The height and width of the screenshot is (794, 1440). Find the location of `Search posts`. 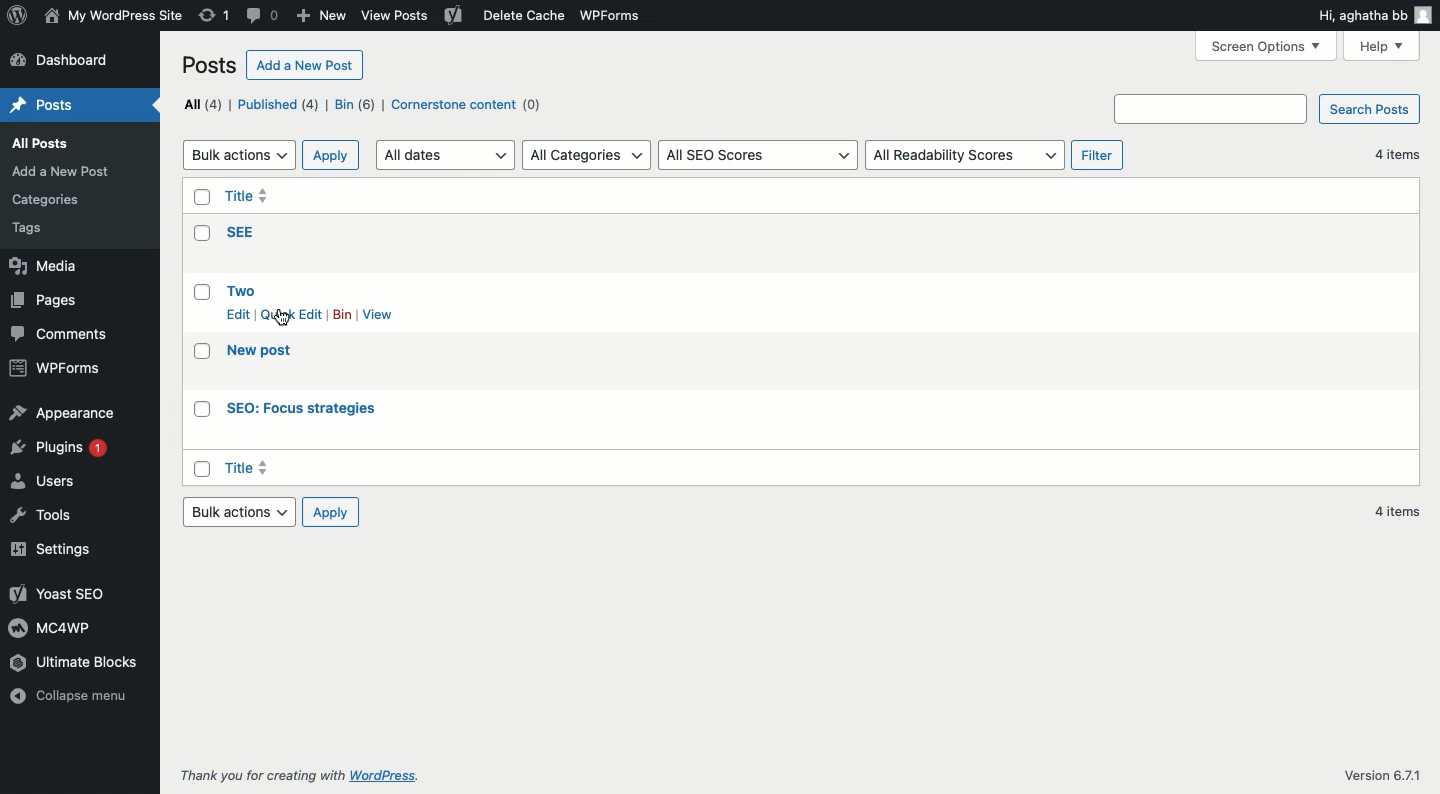

Search posts is located at coordinates (1372, 108).